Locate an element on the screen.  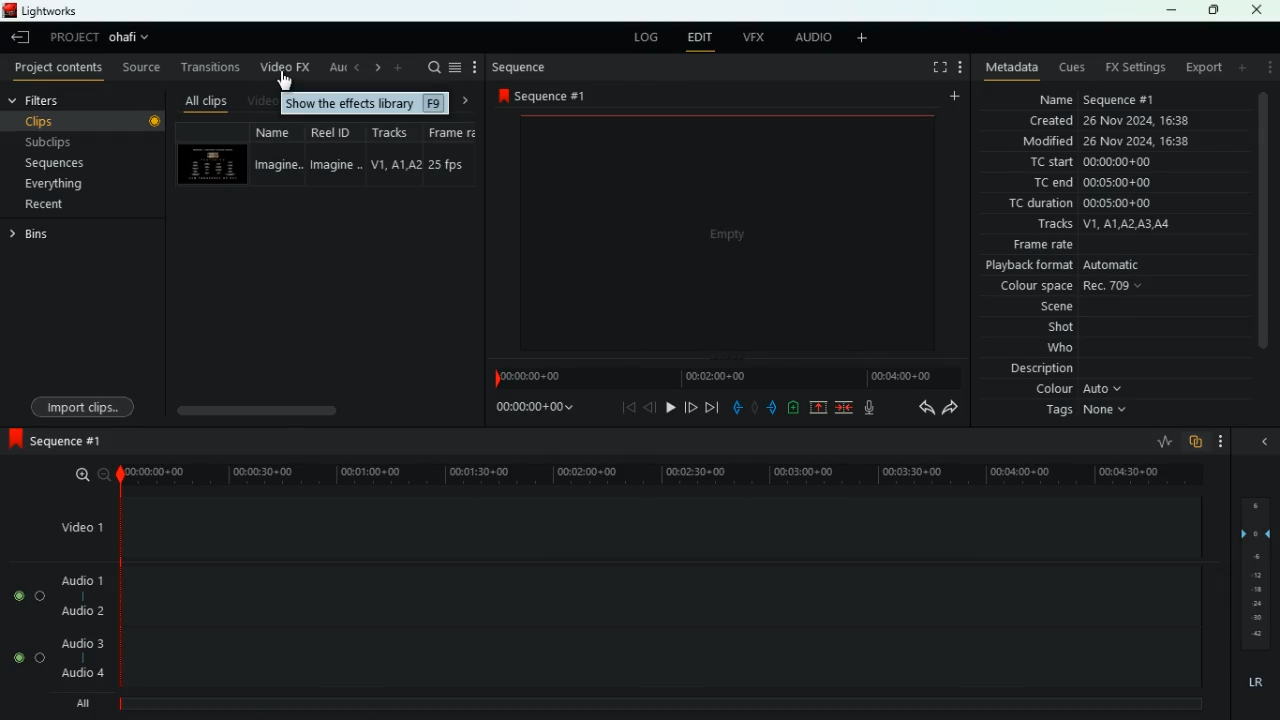
layers is located at coordinates (1254, 575).